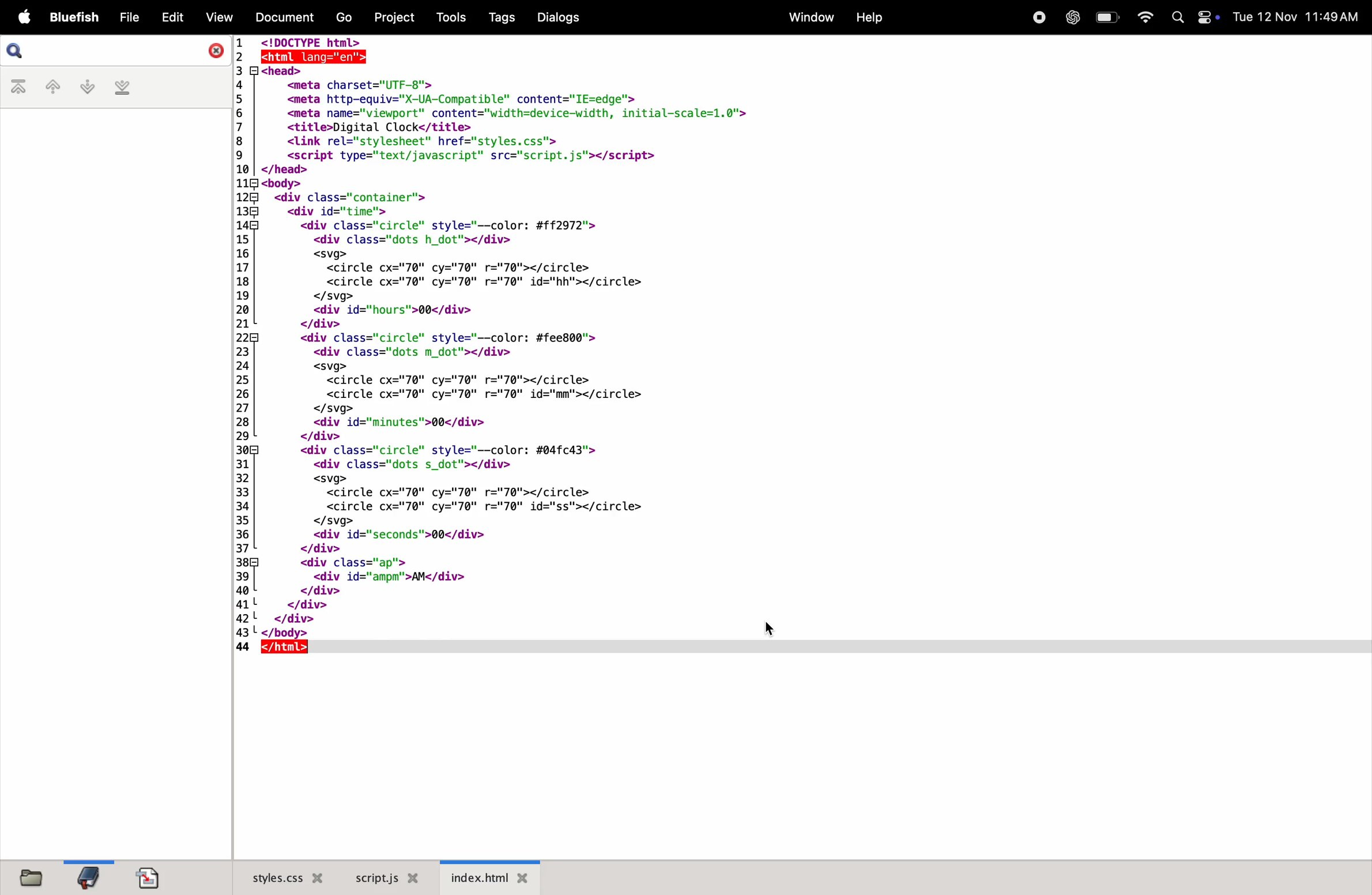 This screenshot has height=895, width=1372. Describe the element at coordinates (395, 18) in the screenshot. I see `projects` at that location.